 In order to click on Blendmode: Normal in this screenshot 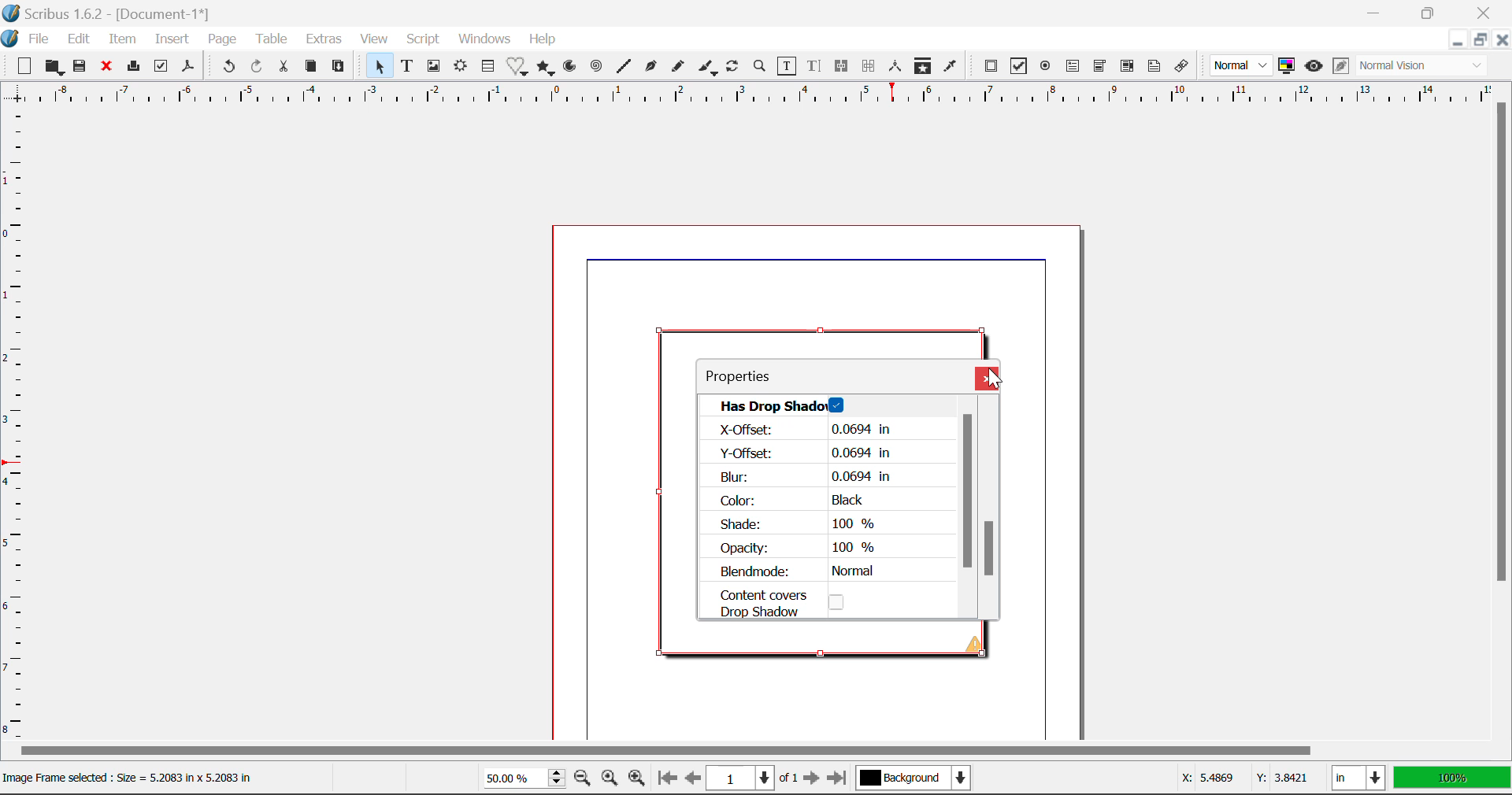, I will do `click(803, 571)`.